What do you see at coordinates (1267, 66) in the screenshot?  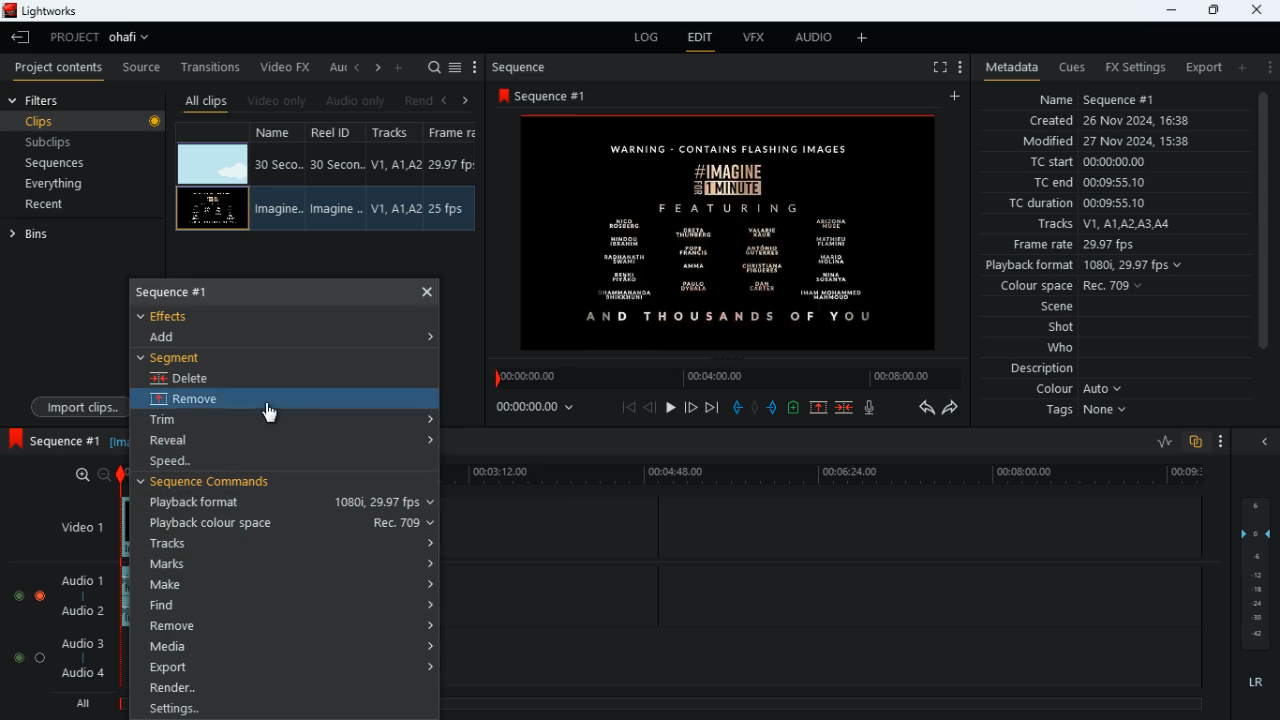 I see `more` at bounding box center [1267, 66].